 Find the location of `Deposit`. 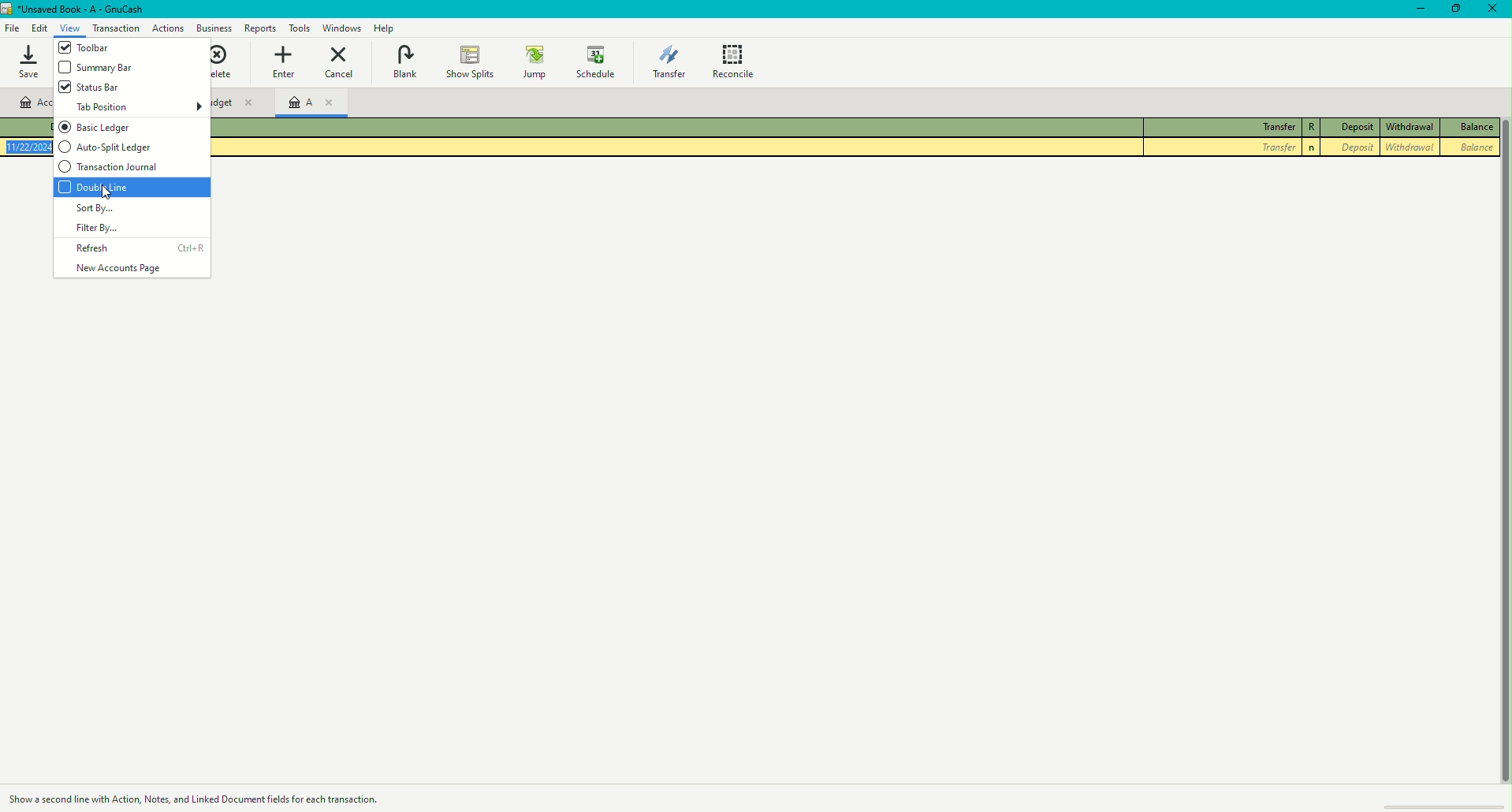

Deposit is located at coordinates (1346, 127).